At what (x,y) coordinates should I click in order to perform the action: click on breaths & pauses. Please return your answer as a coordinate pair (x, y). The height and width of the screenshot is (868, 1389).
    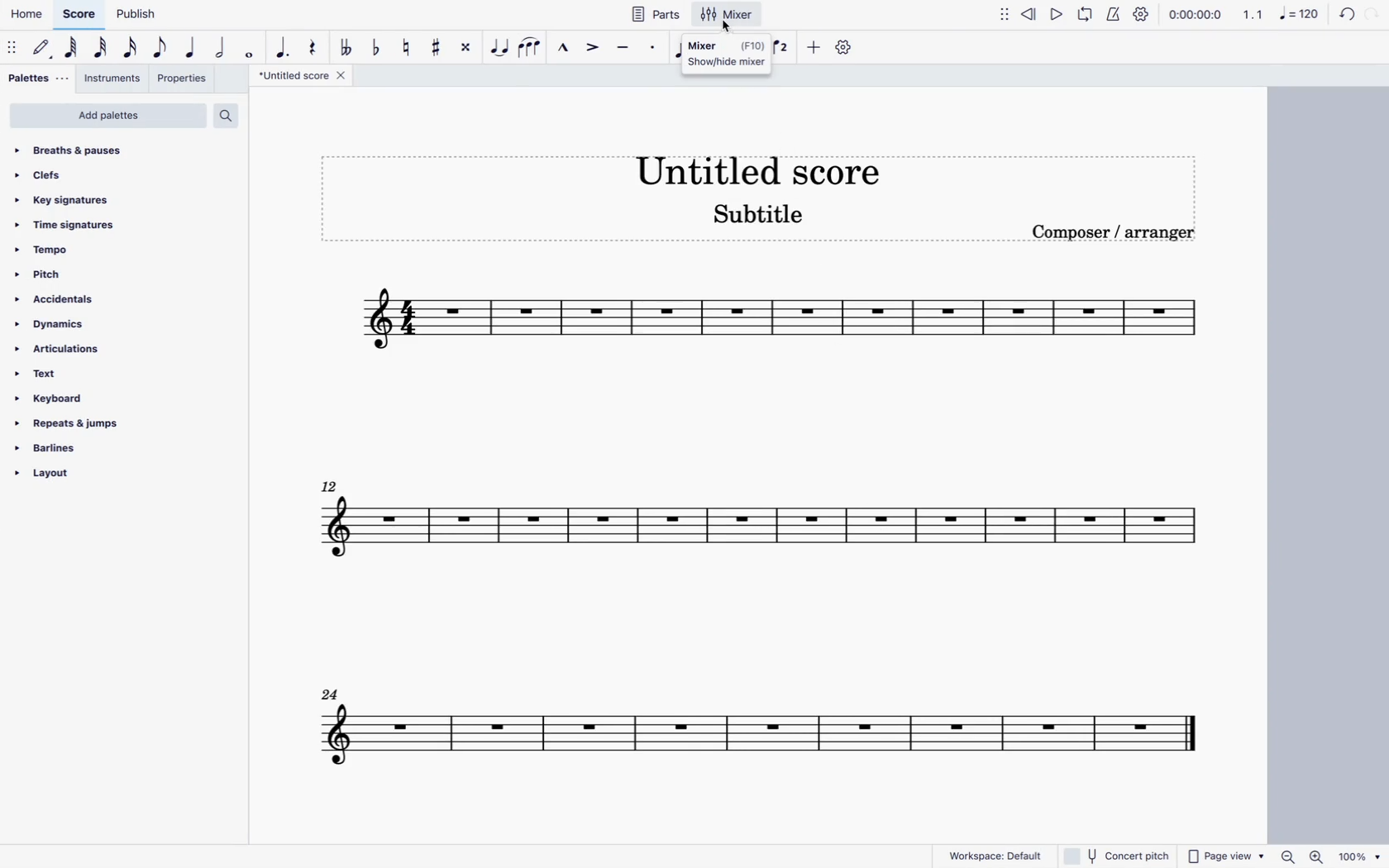
    Looking at the image, I should click on (93, 150).